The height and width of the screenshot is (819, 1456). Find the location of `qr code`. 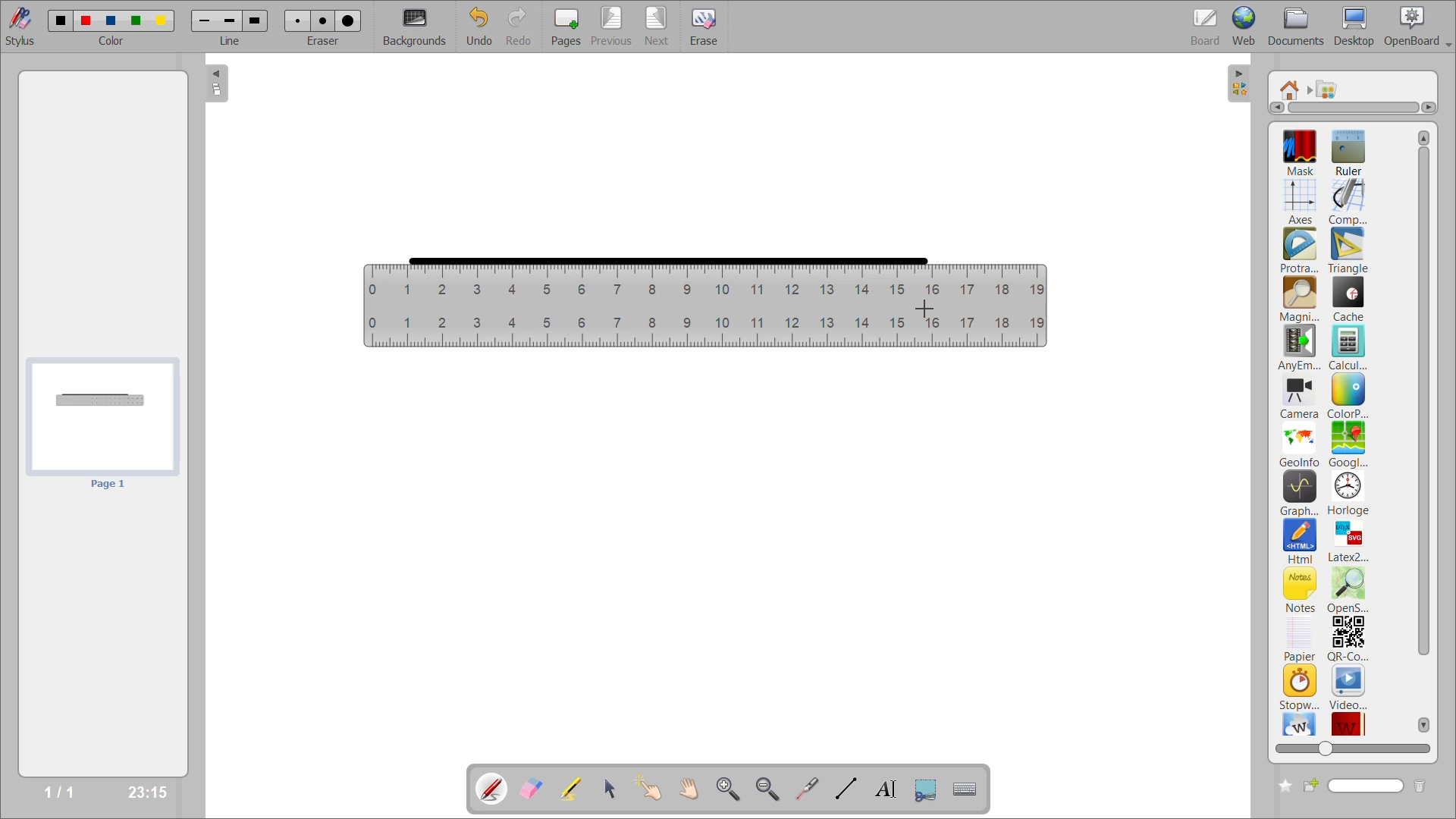

qr code is located at coordinates (1348, 639).